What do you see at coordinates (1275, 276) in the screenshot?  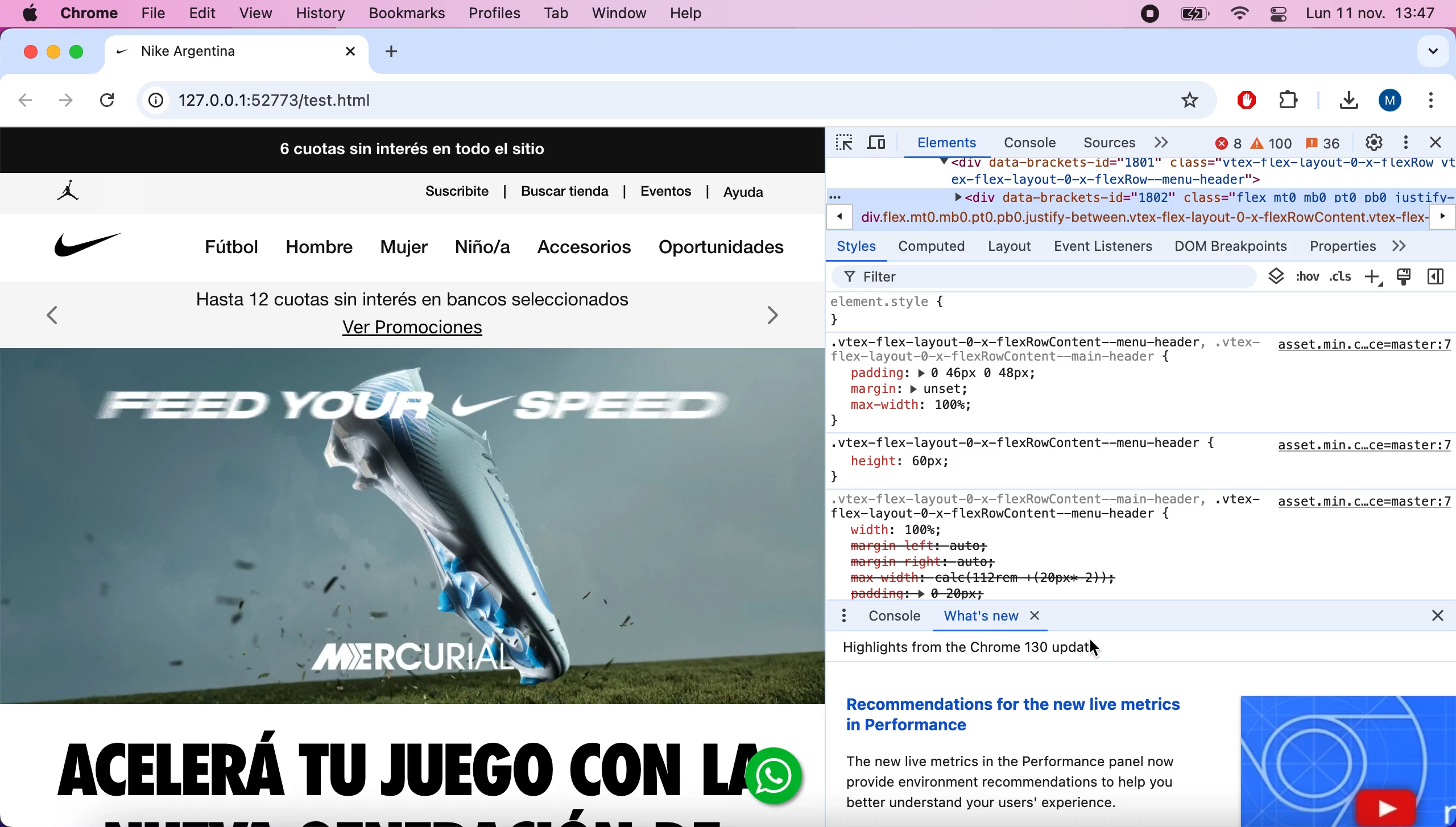 I see `toggle css layer` at bounding box center [1275, 276].